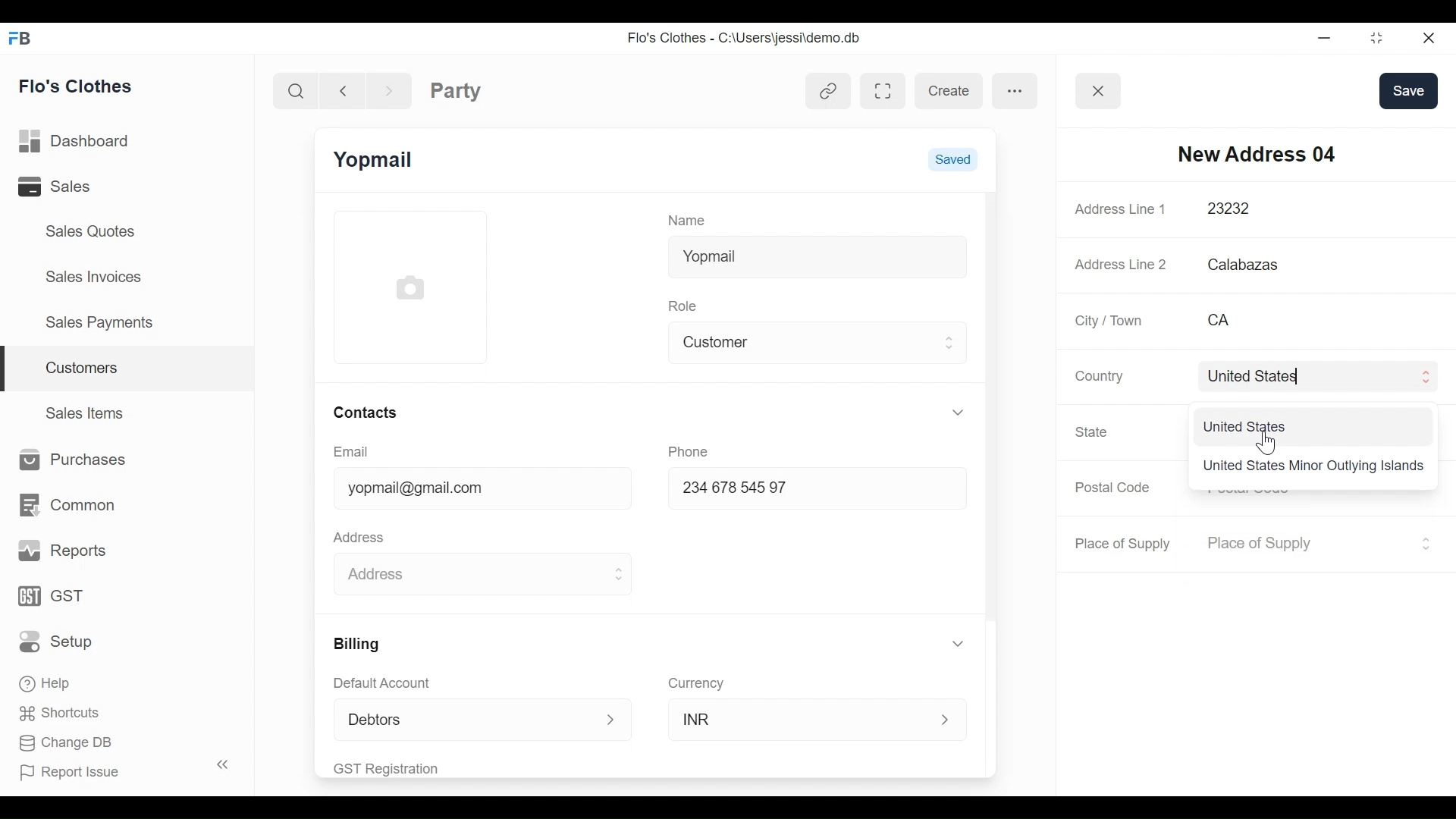  Describe the element at coordinates (362, 535) in the screenshot. I see `Address` at that location.